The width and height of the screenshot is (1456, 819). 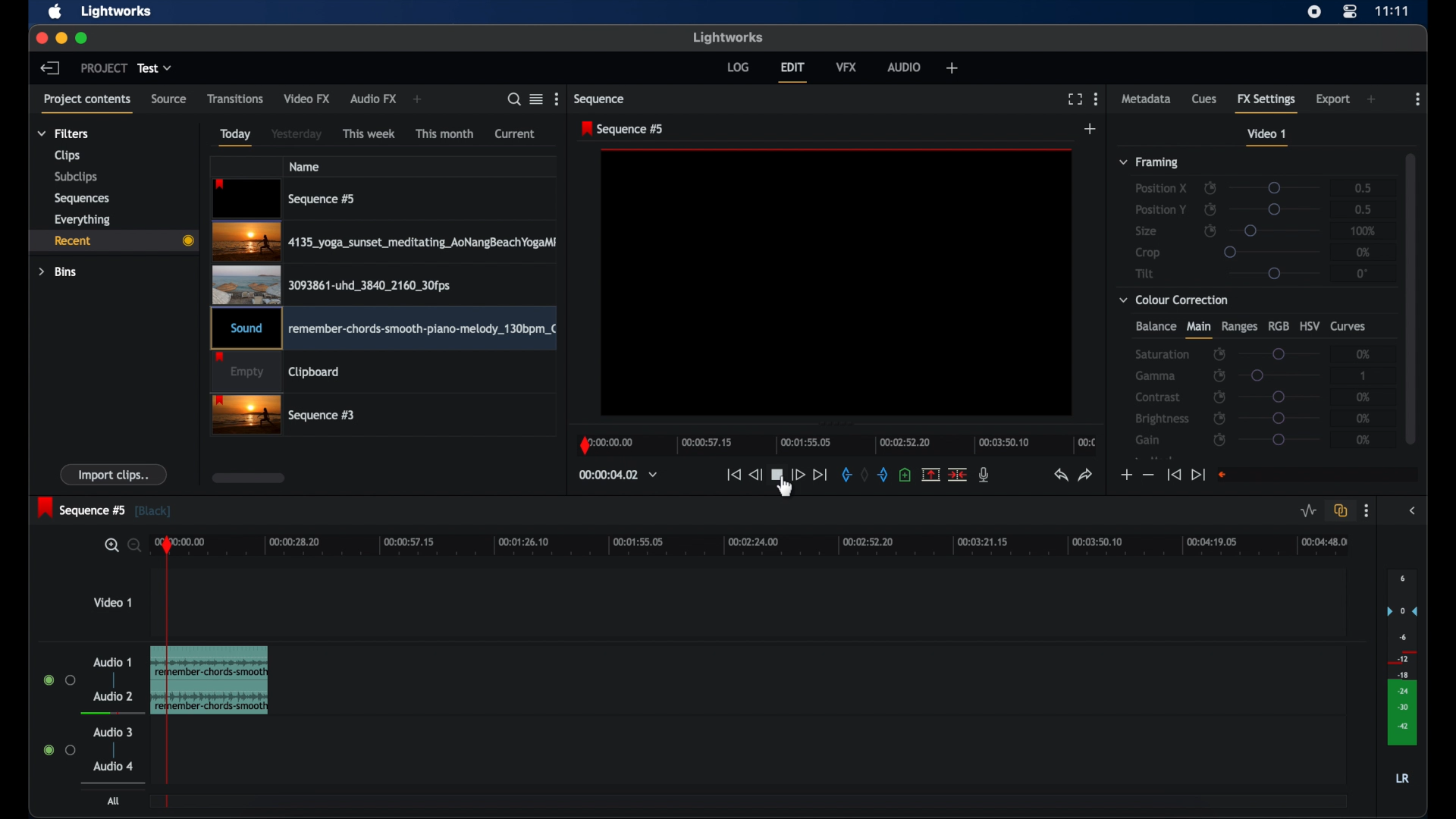 I want to click on timecodes and reels, so click(x=618, y=475).